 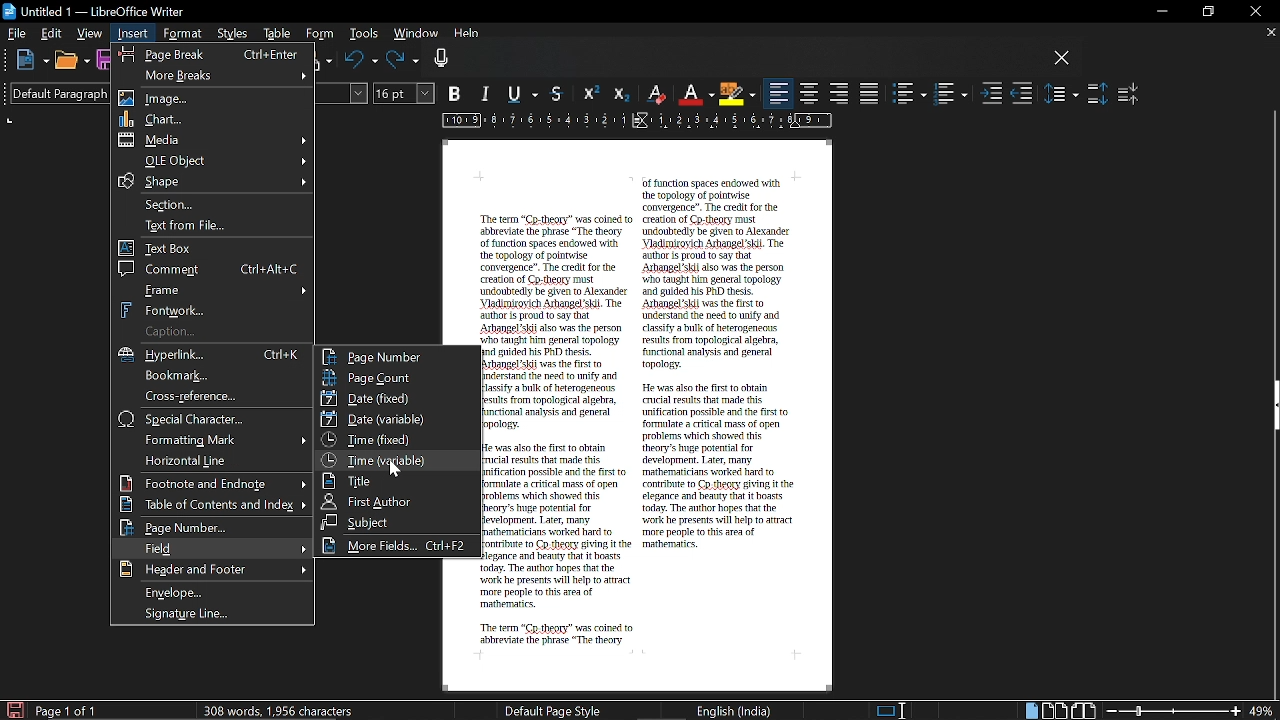 I want to click on Ersaser, so click(x=657, y=95).